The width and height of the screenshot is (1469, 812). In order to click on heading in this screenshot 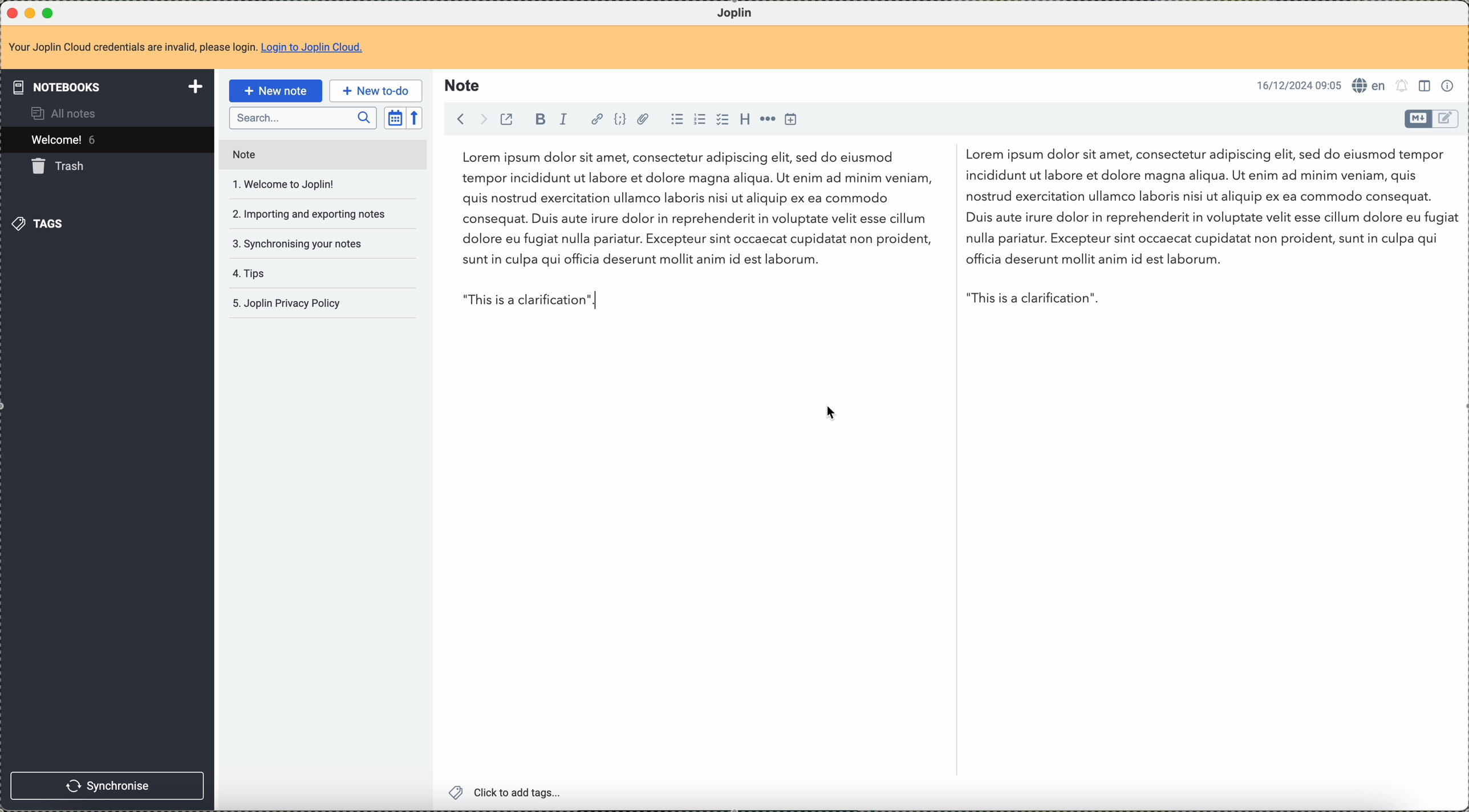, I will do `click(745, 121)`.